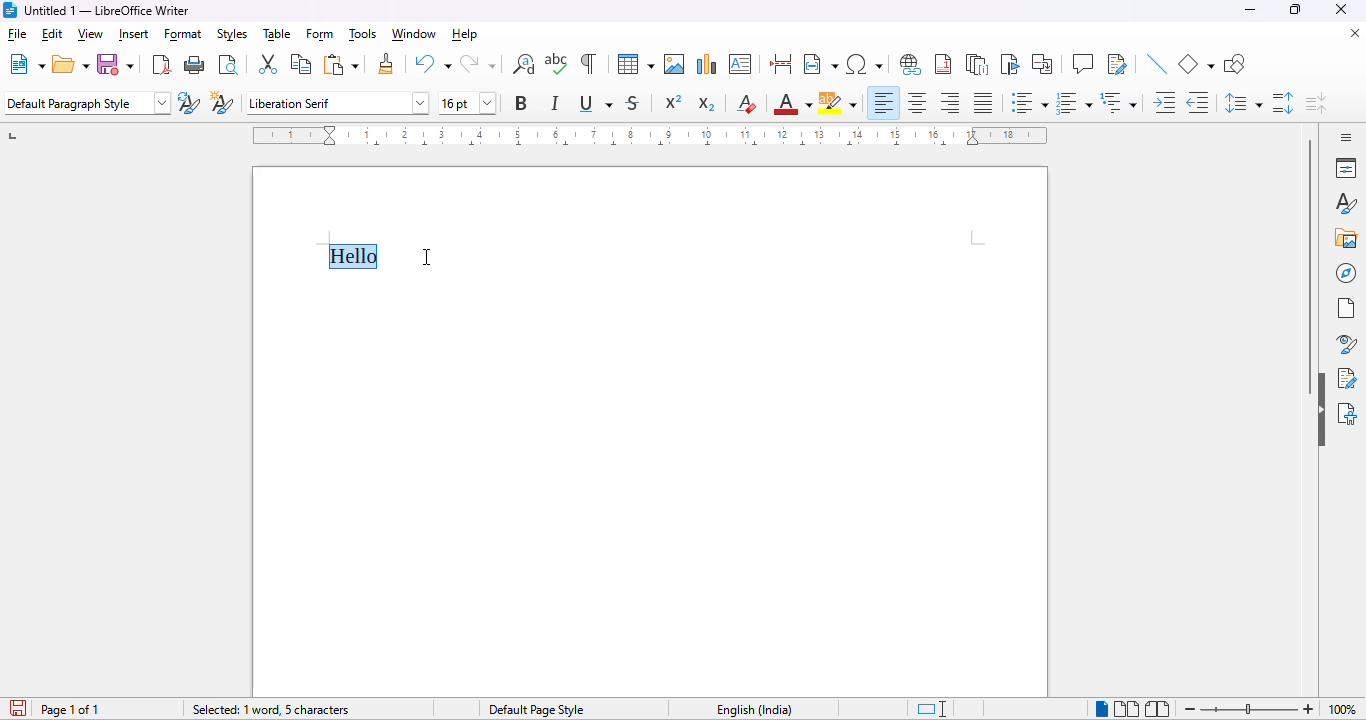  What do you see at coordinates (1165, 103) in the screenshot?
I see `increase indent` at bounding box center [1165, 103].